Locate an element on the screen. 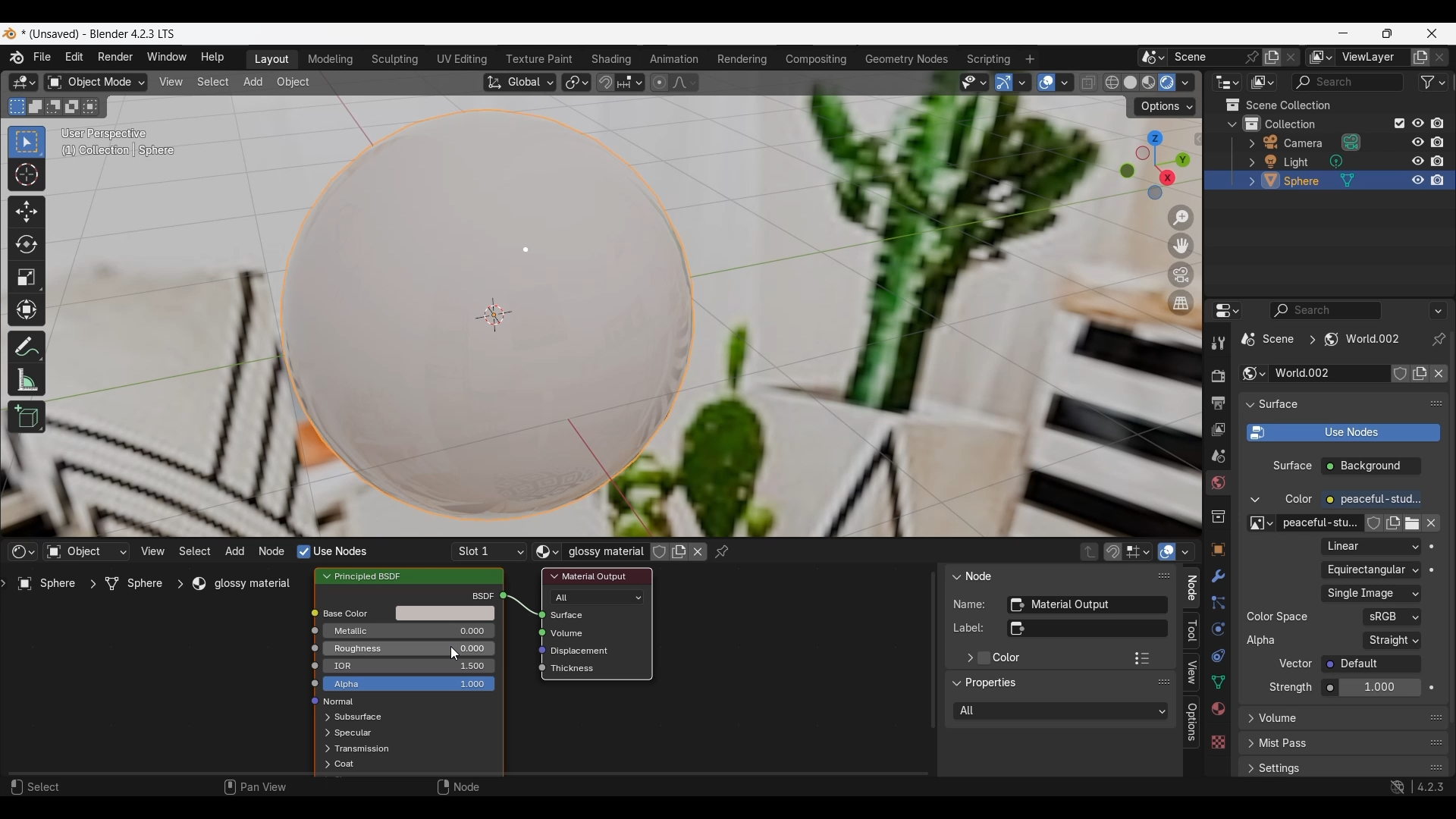 The height and width of the screenshot is (819, 1456). Current scene location is located at coordinates (1322, 339).